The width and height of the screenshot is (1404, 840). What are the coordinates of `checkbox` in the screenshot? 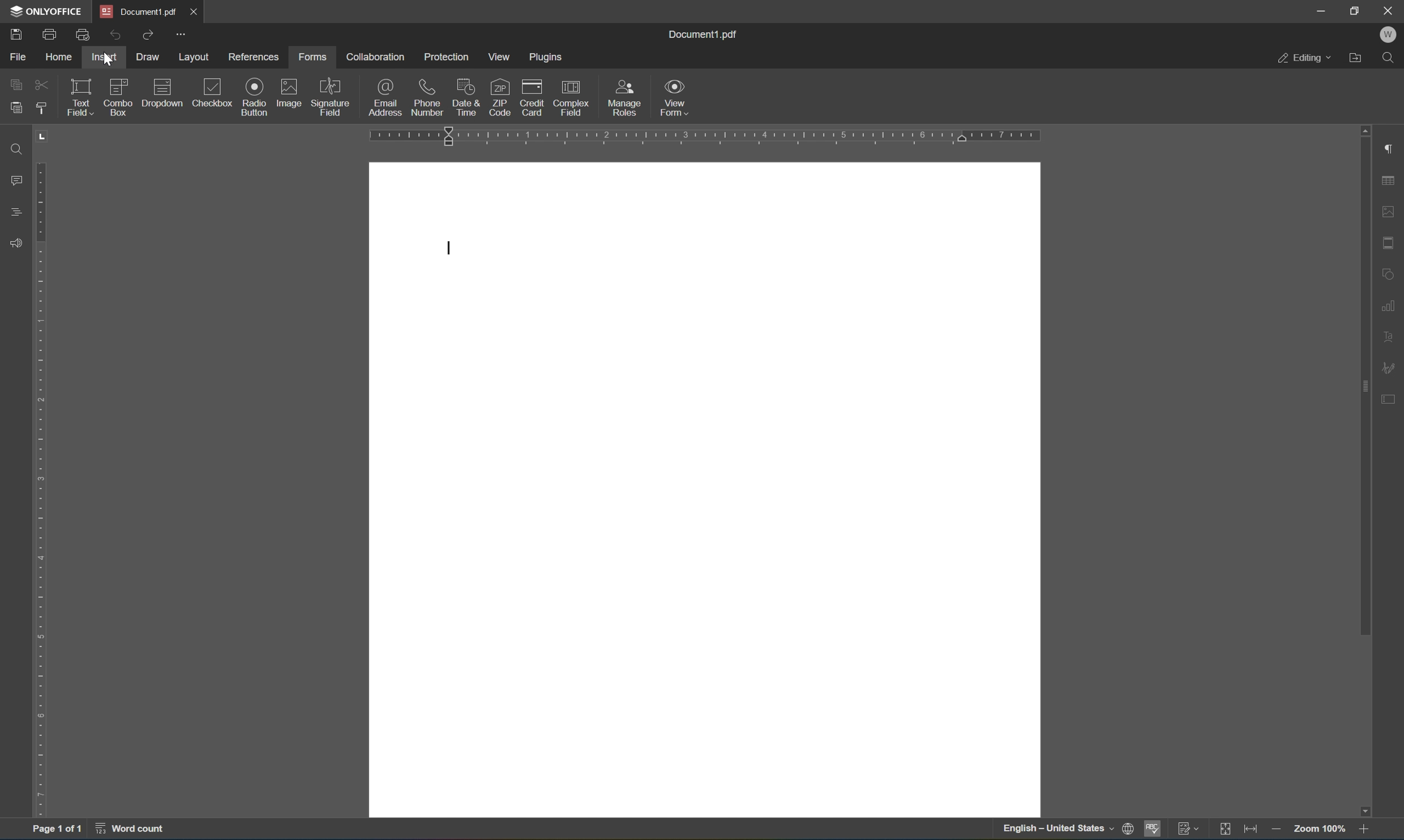 It's located at (212, 95).